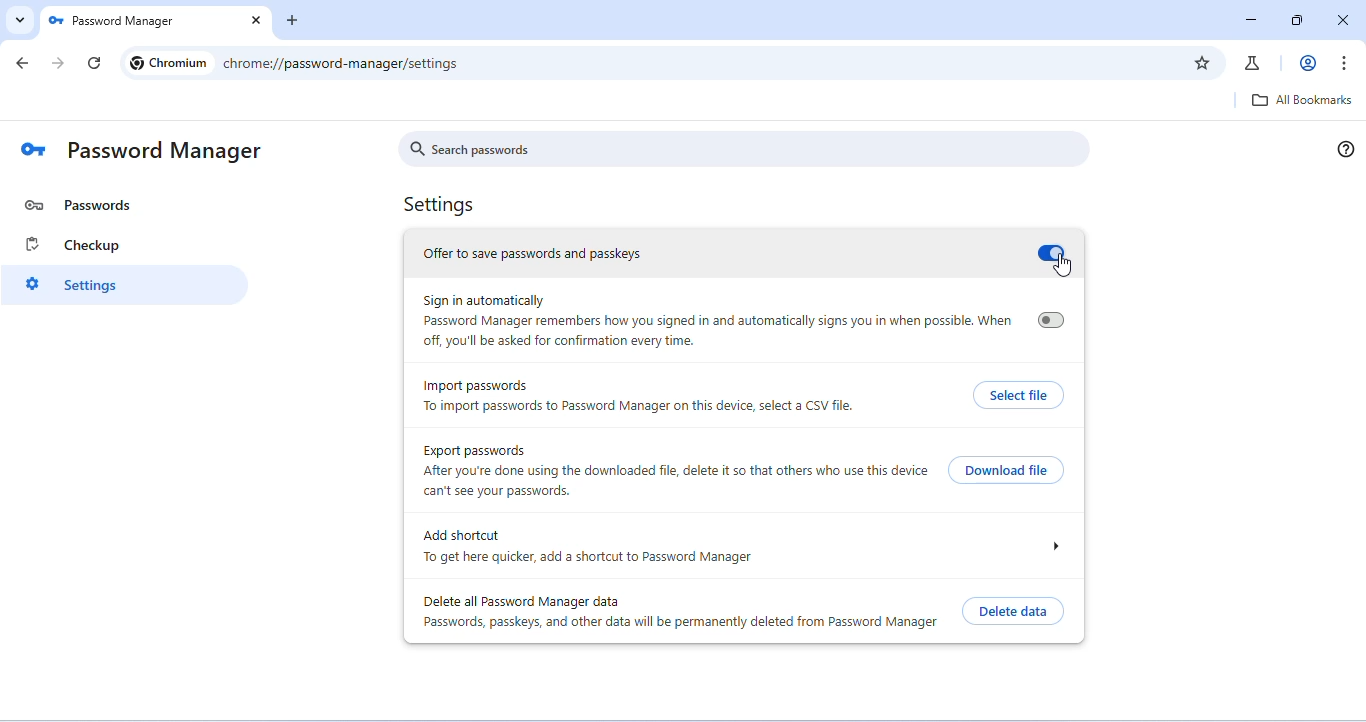  What do you see at coordinates (349, 62) in the screenshot?
I see `chrome://password-manager/passwords` at bounding box center [349, 62].